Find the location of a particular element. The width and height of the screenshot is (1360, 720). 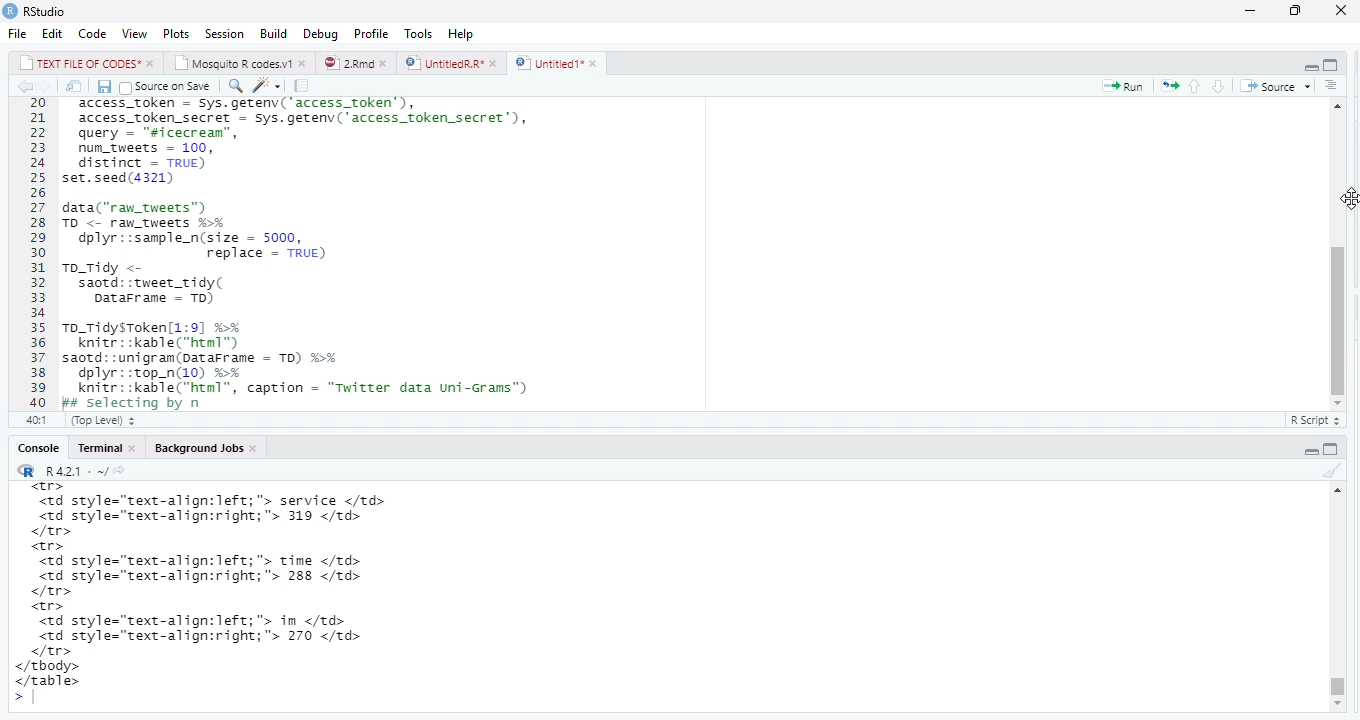

close is located at coordinates (1344, 12).